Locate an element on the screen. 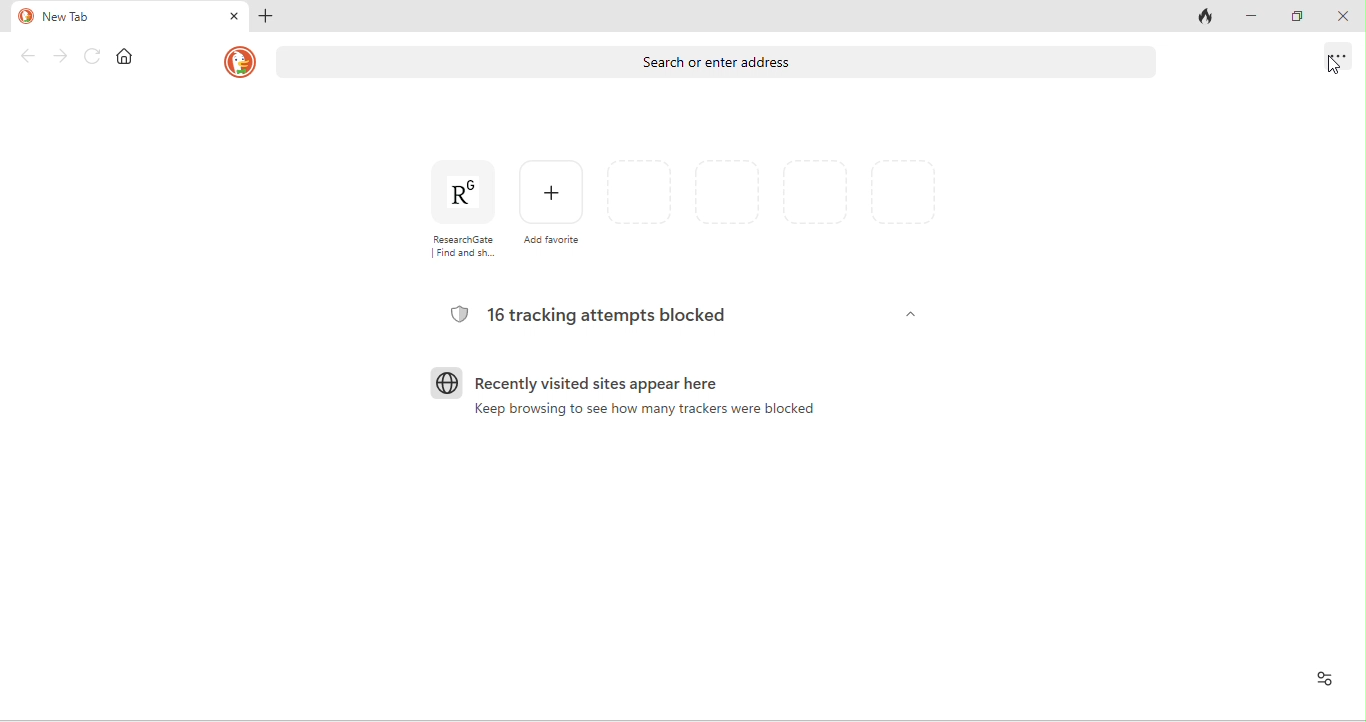 This screenshot has width=1366, height=722. maximize is located at coordinates (1303, 19).